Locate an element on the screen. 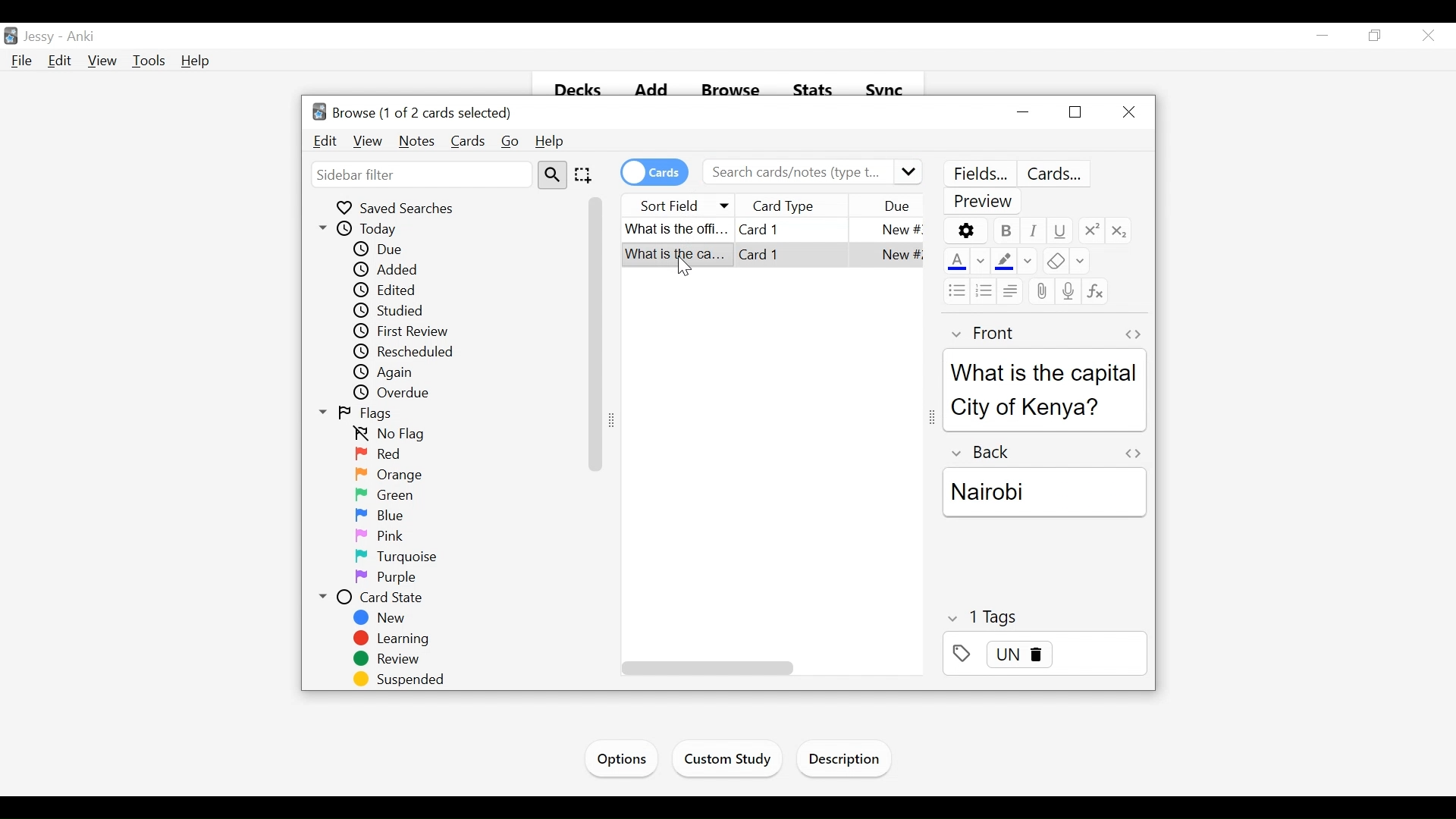  File is located at coordinates (24, 61).